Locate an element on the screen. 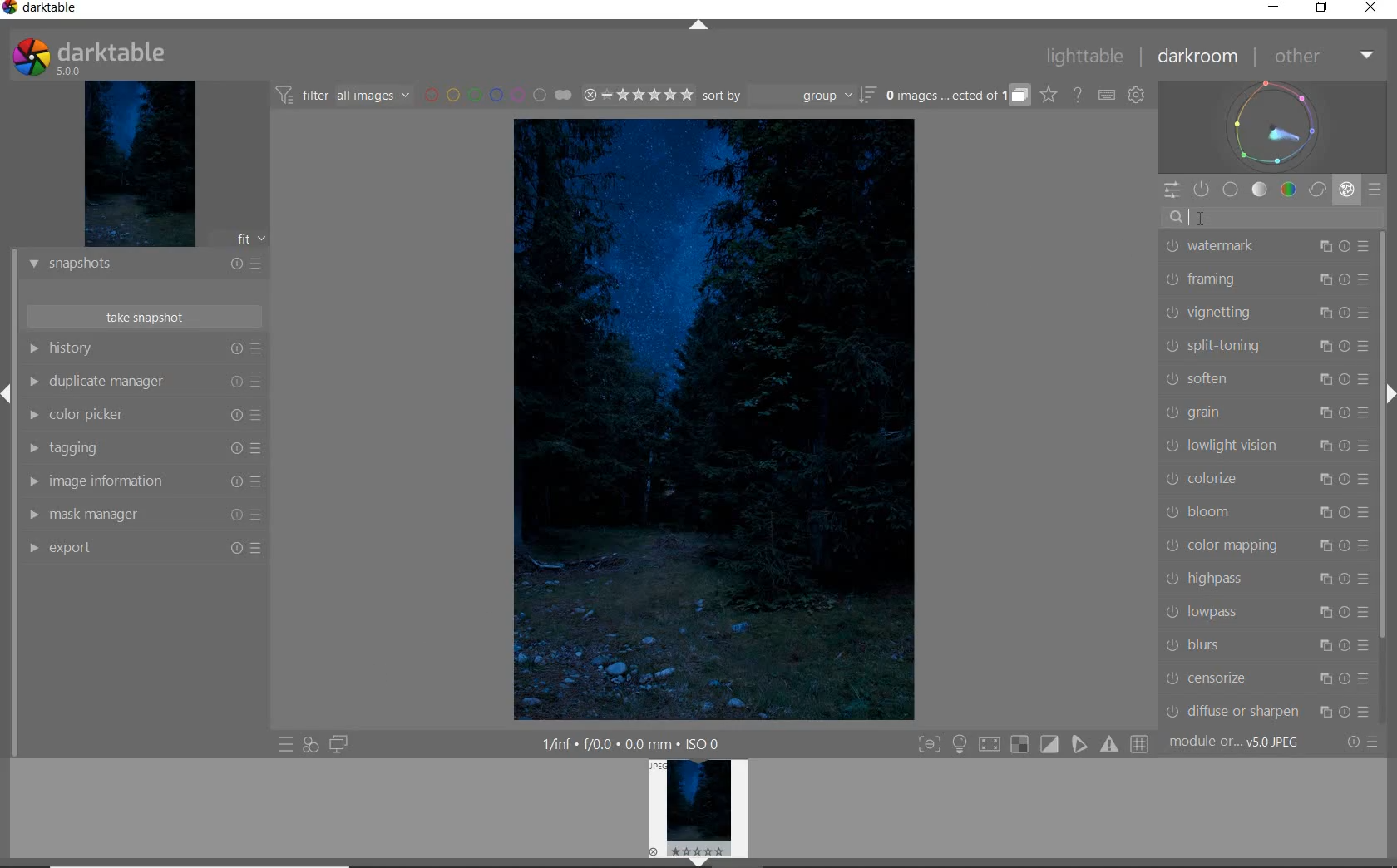 The image size is (1397, 868). COLORIZE is located at coordinates (1265, 479).